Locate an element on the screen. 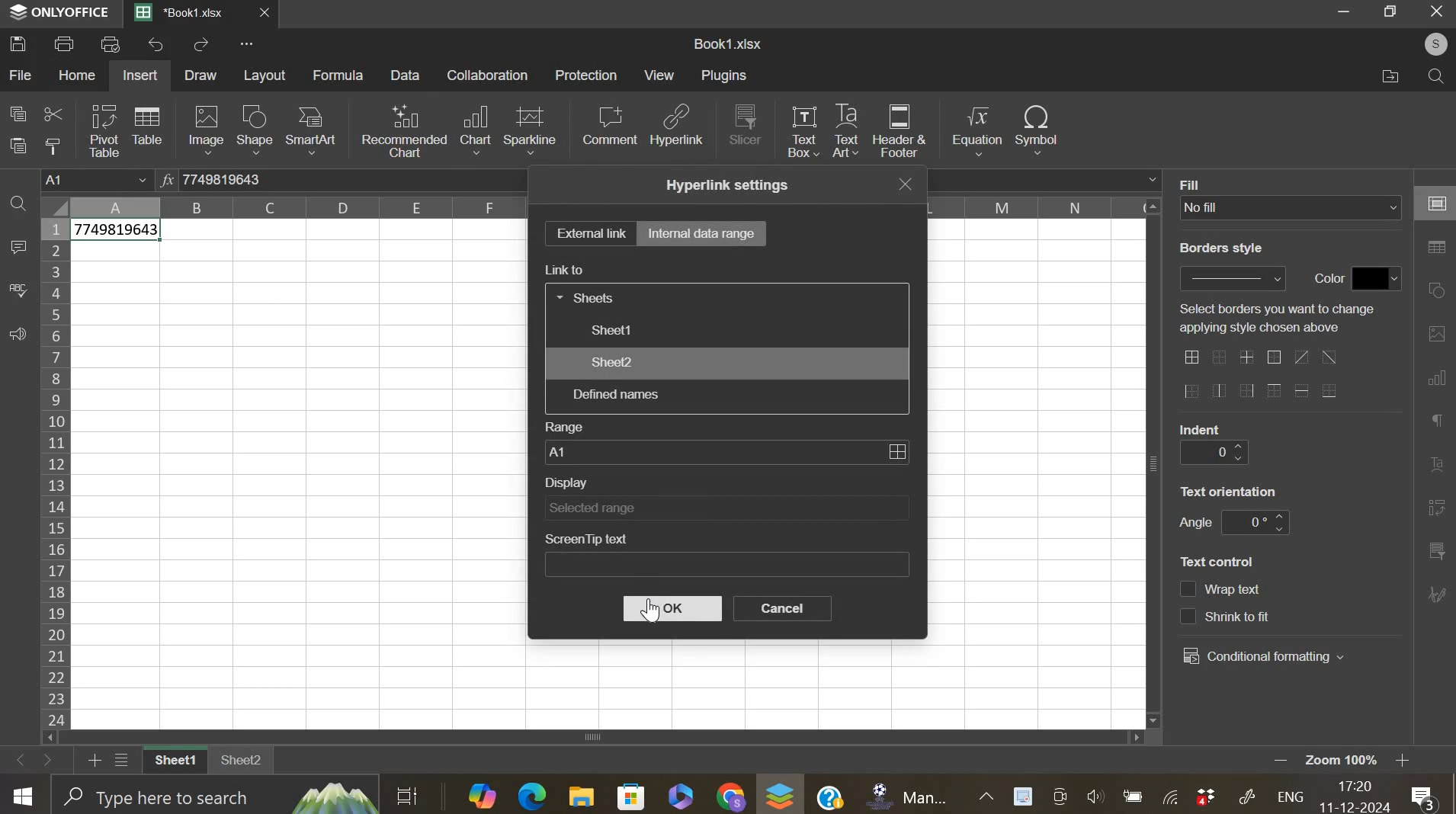  paste is located at coordinates (20, 146).